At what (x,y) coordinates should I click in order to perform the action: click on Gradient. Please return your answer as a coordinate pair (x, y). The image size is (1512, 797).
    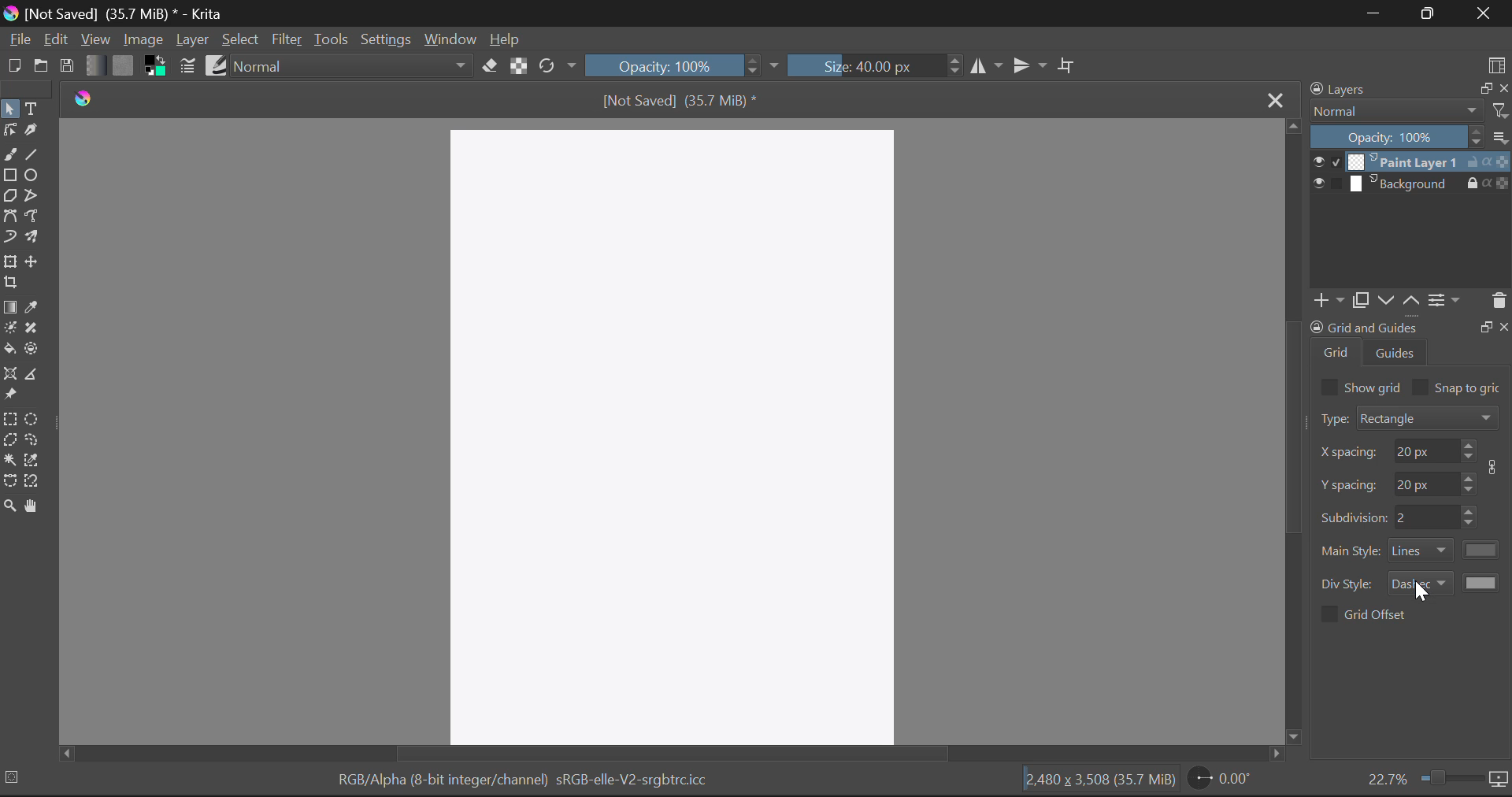
    Looking at the image, I should click on (94, 64).